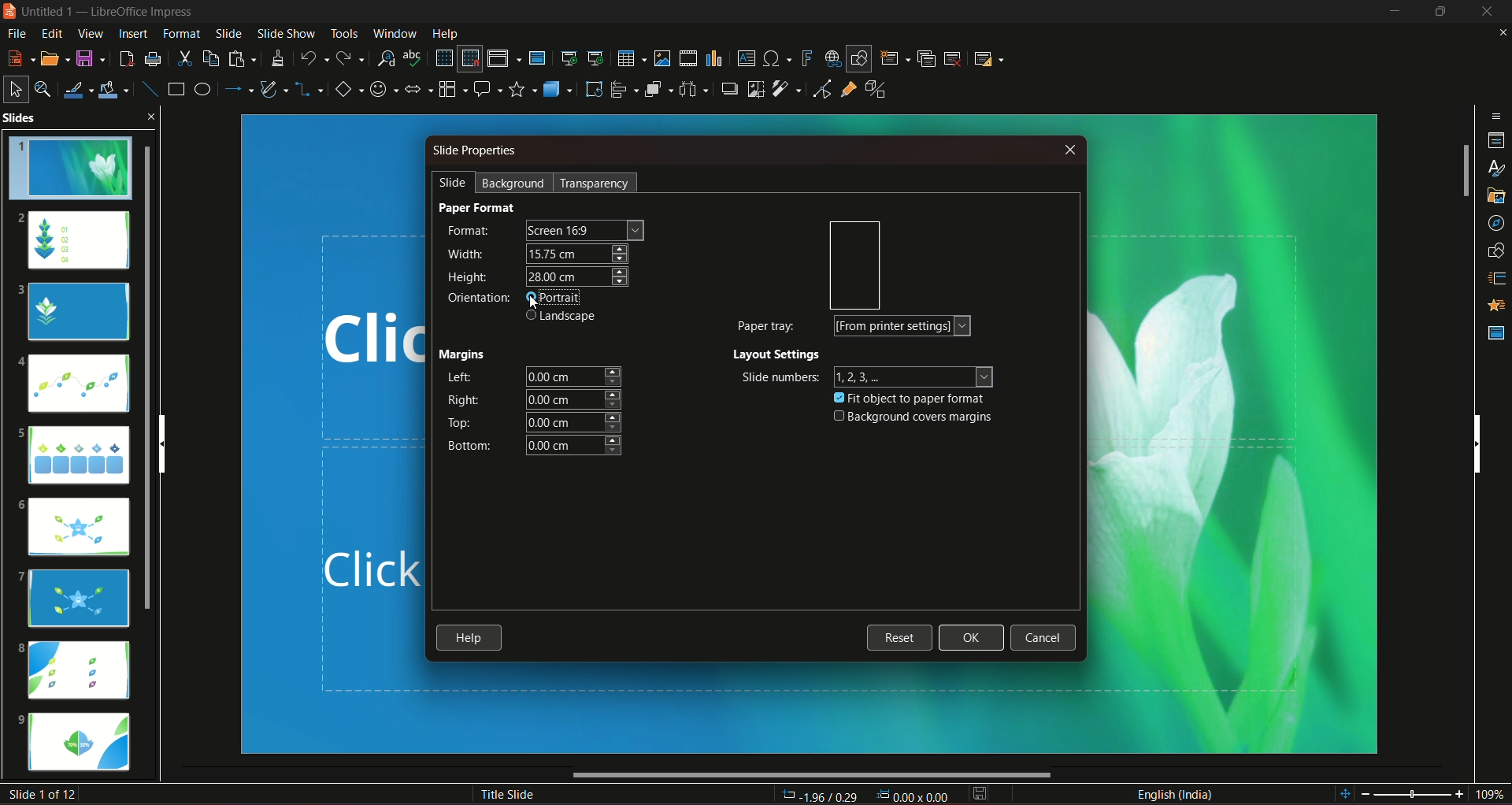 The height and width of the screenshot is (805, 1512). Describe the element at coordinates (1067, 150) in the screenshot. I see `close` at that location.